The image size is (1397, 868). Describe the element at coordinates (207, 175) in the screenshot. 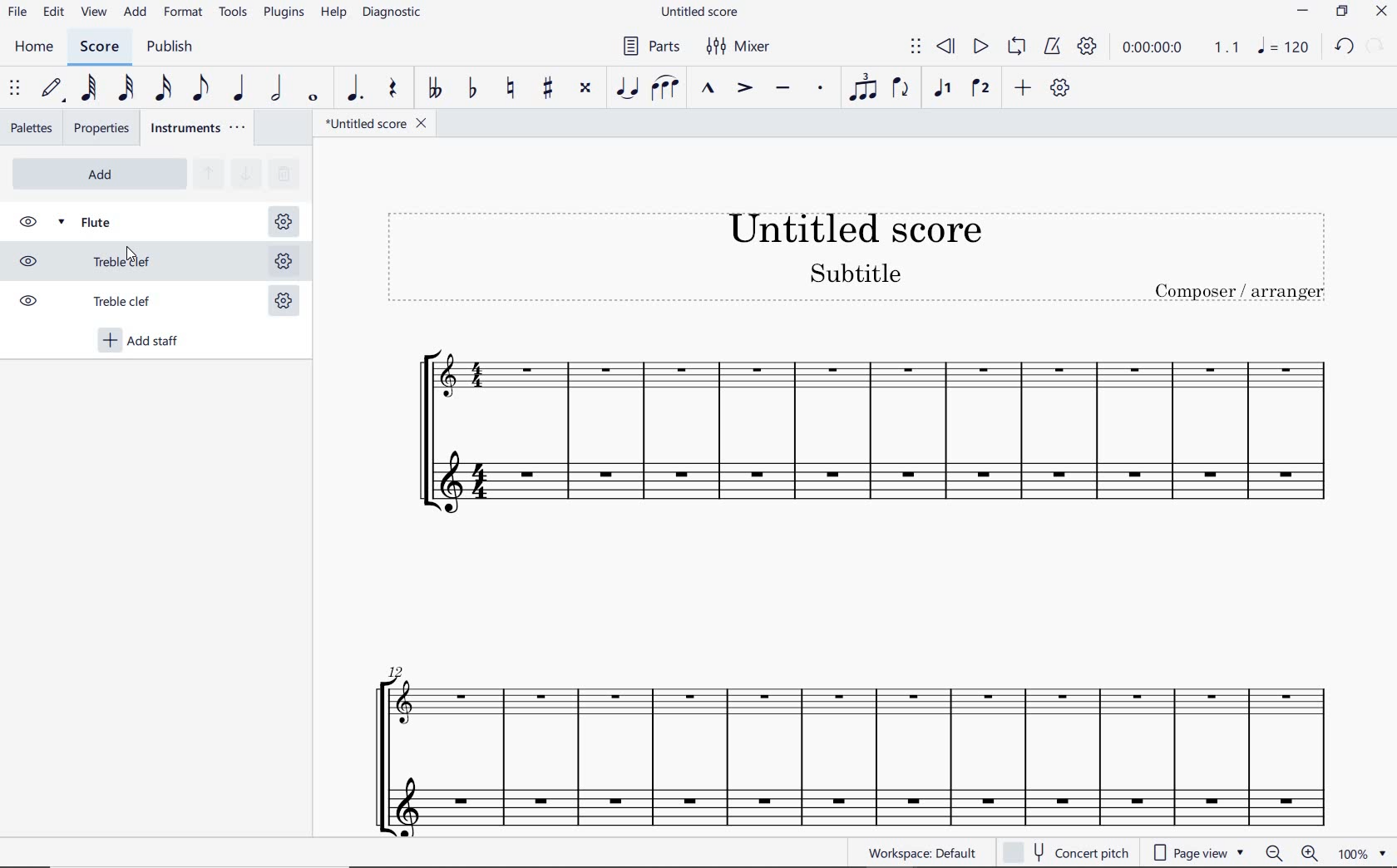

I see `MOVE SELECTED INSTRUMENT UP` at that location.